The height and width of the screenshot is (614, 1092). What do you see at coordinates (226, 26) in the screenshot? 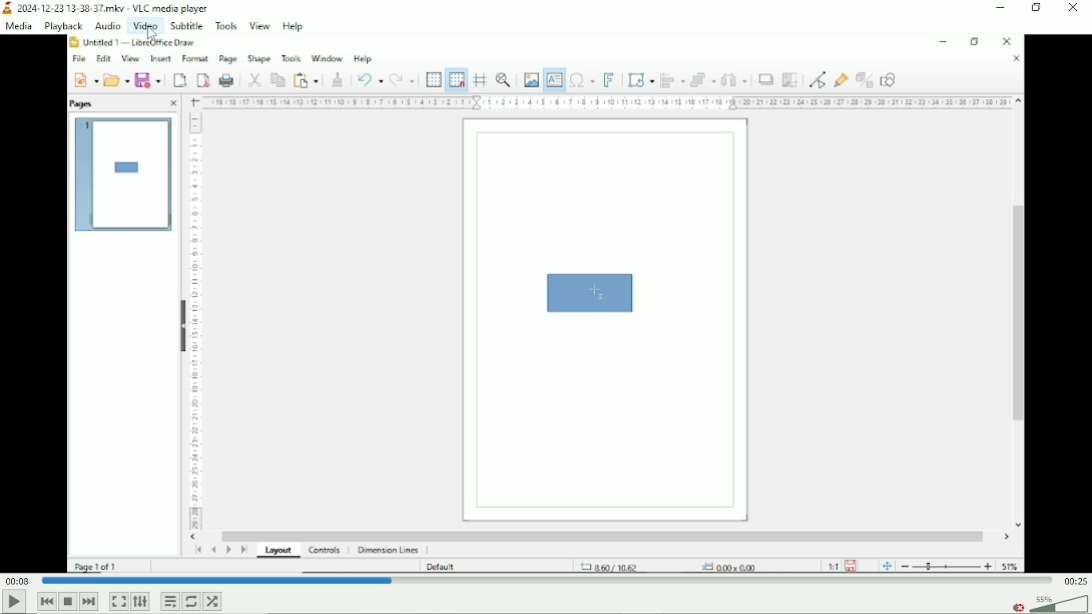
I see `Tools` at bounding box center [226, 26].